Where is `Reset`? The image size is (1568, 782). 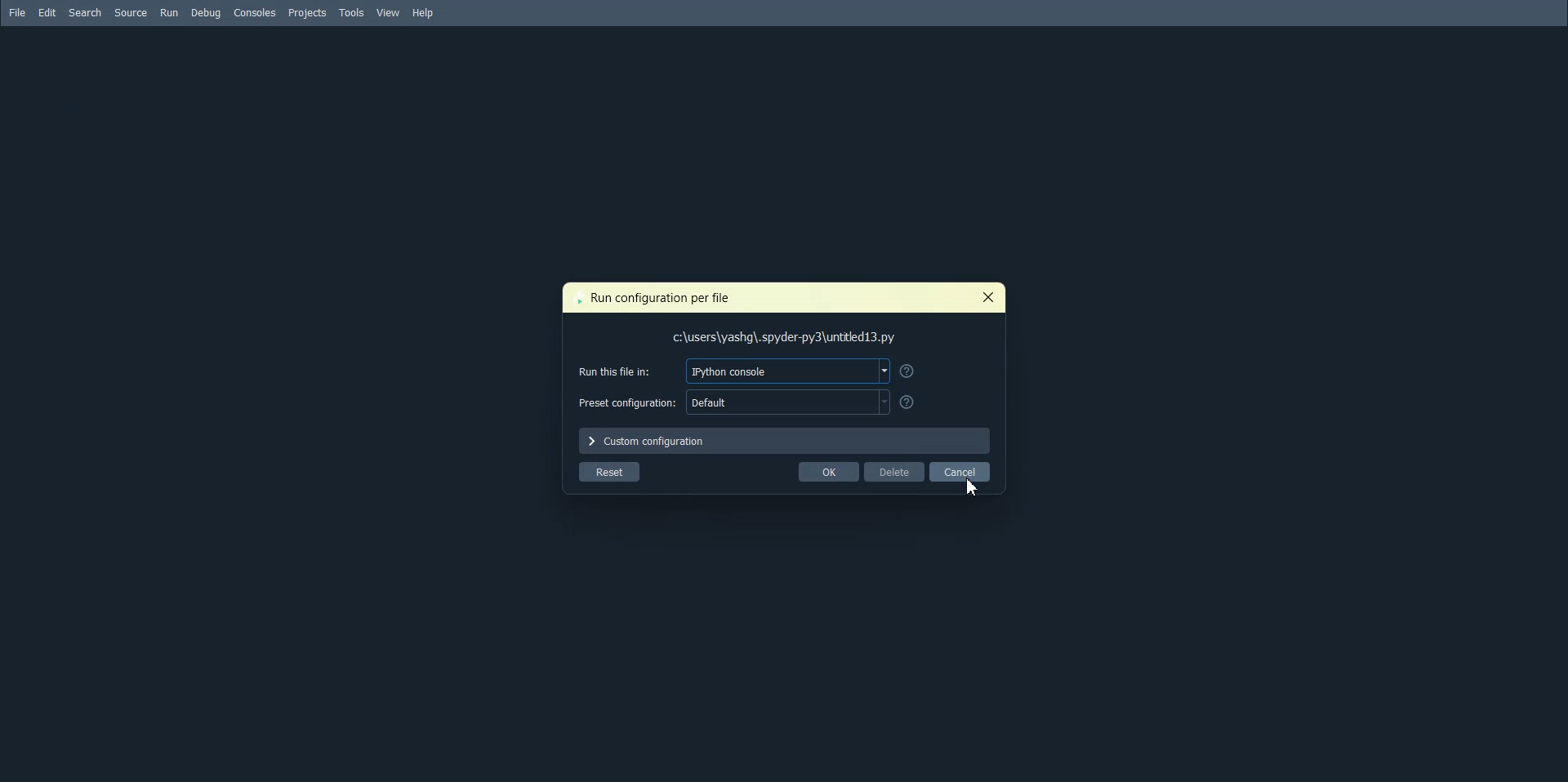
Reset is located at coordinates (609, 471).